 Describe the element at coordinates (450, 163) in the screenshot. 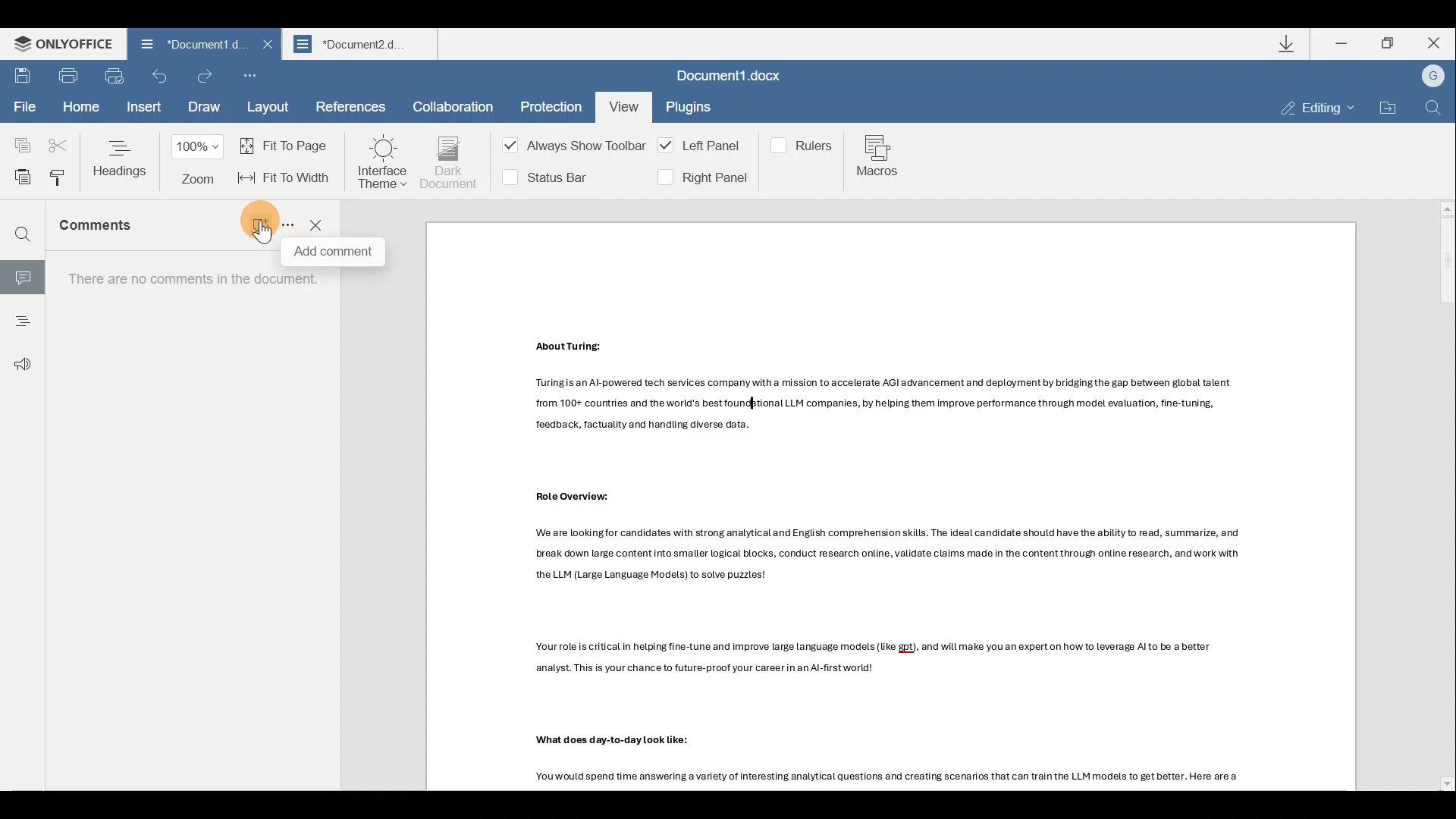

I see `Dark document` at that location.